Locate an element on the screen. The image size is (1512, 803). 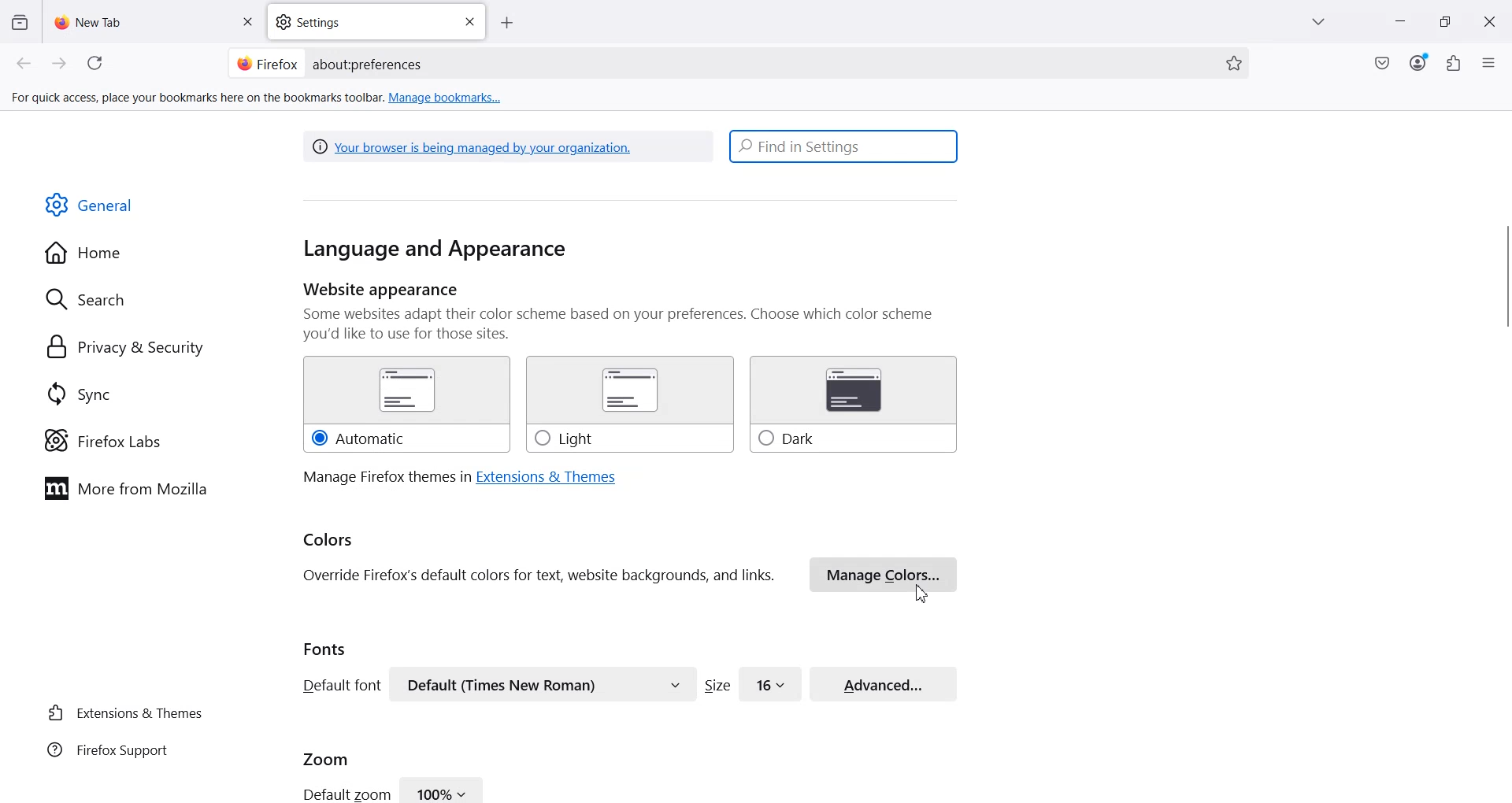
Forward is located at coordinates (60, 64).